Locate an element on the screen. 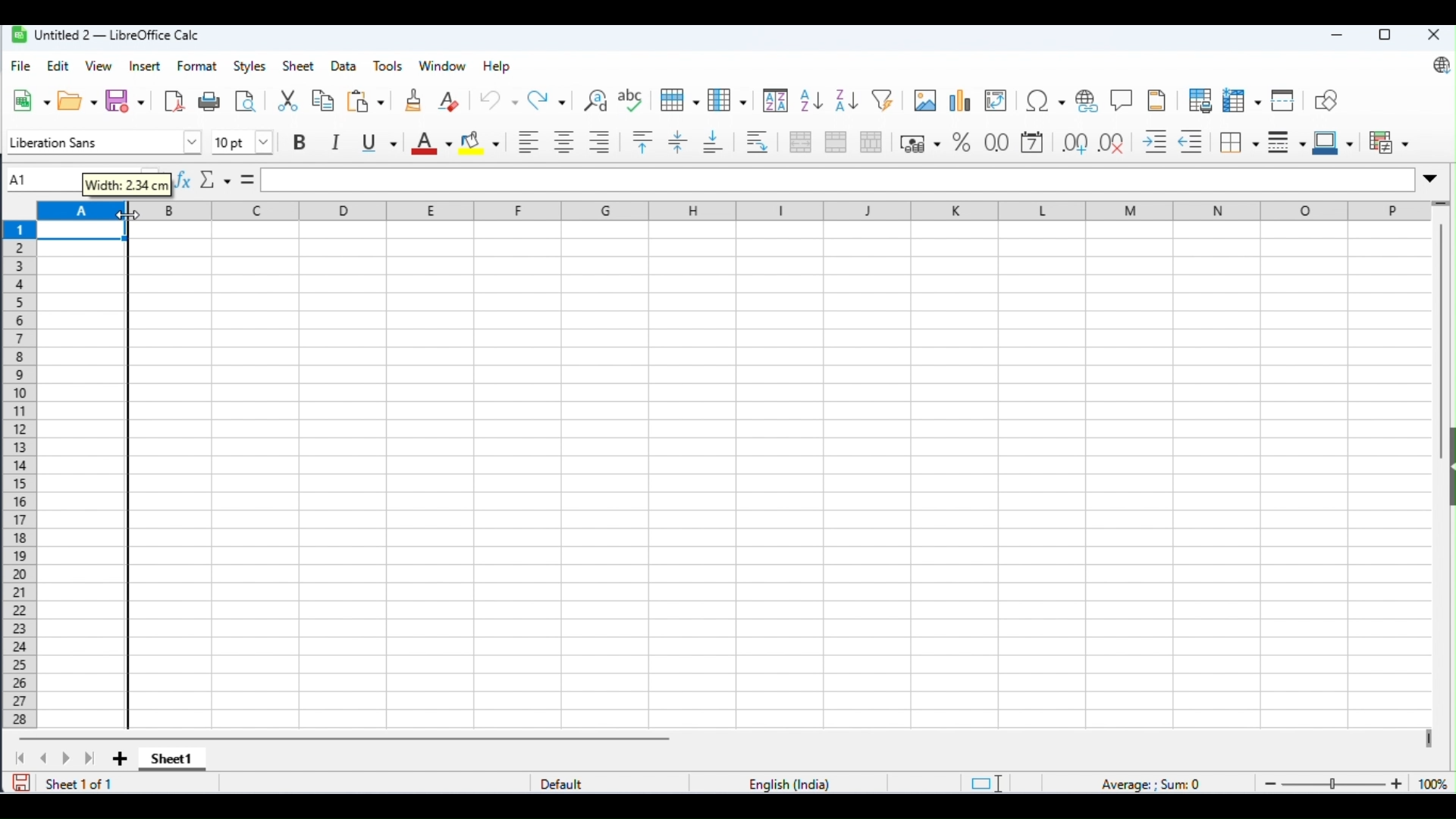 This screenshot has height=819, width=1456. freeze rows and columns is located at coordinates (1242, 101).